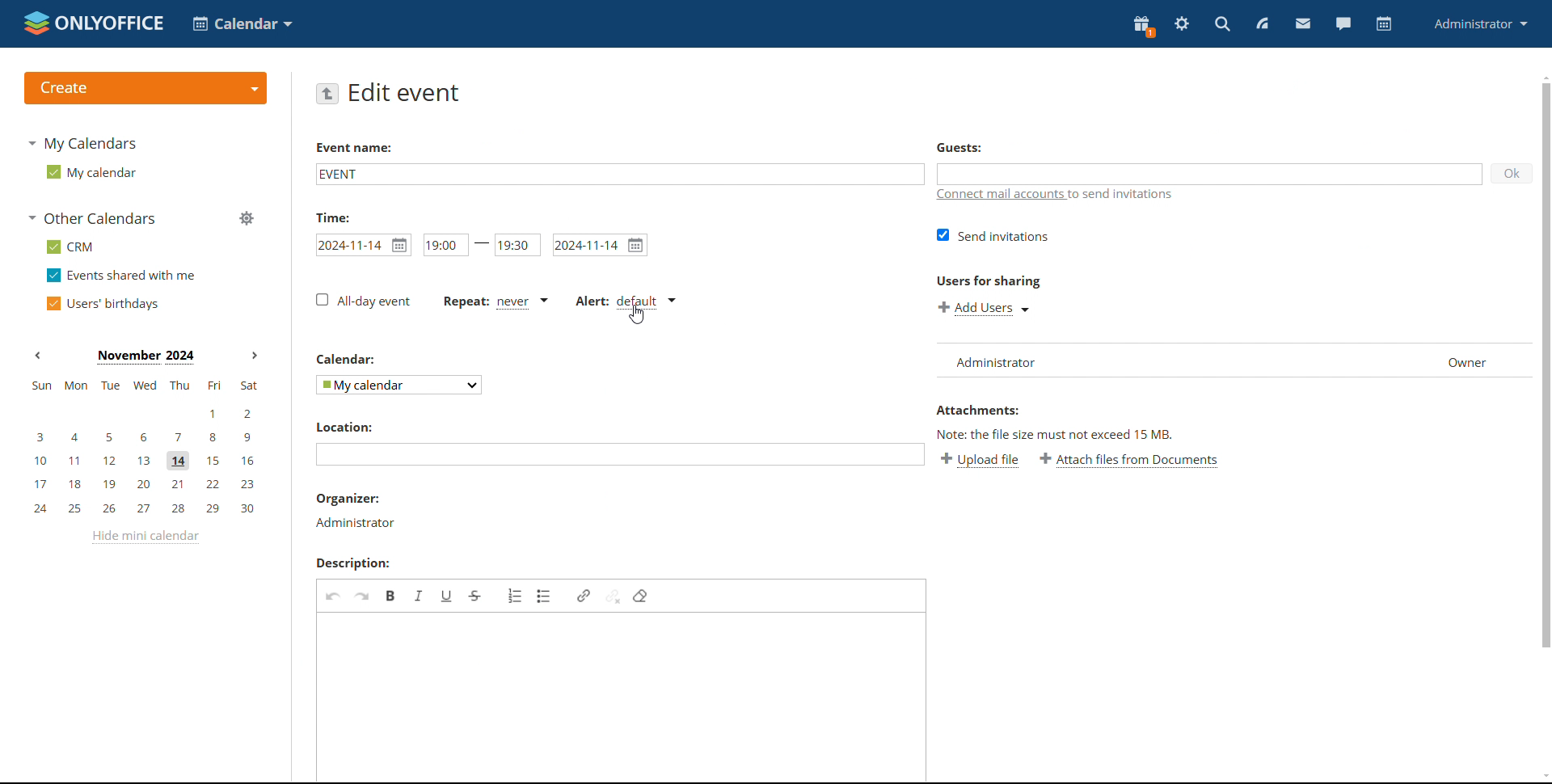 The width and height of the screenshot is (1552, 784). I want to click on add guests, so click(1210, 174).